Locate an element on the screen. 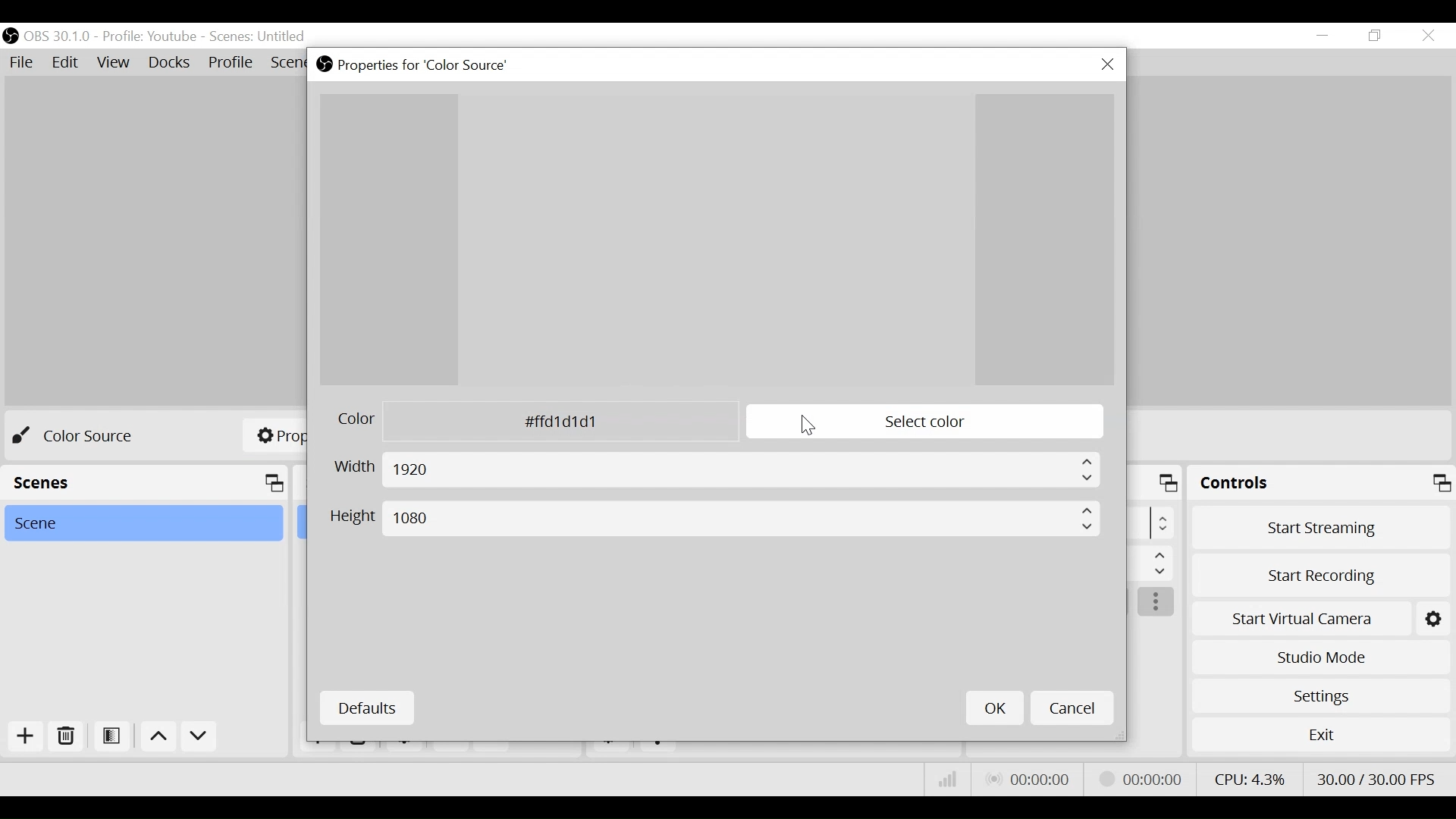 The height and width of the screenshot is (819, 1456). OBS Version is located at coordinates (58, 36).